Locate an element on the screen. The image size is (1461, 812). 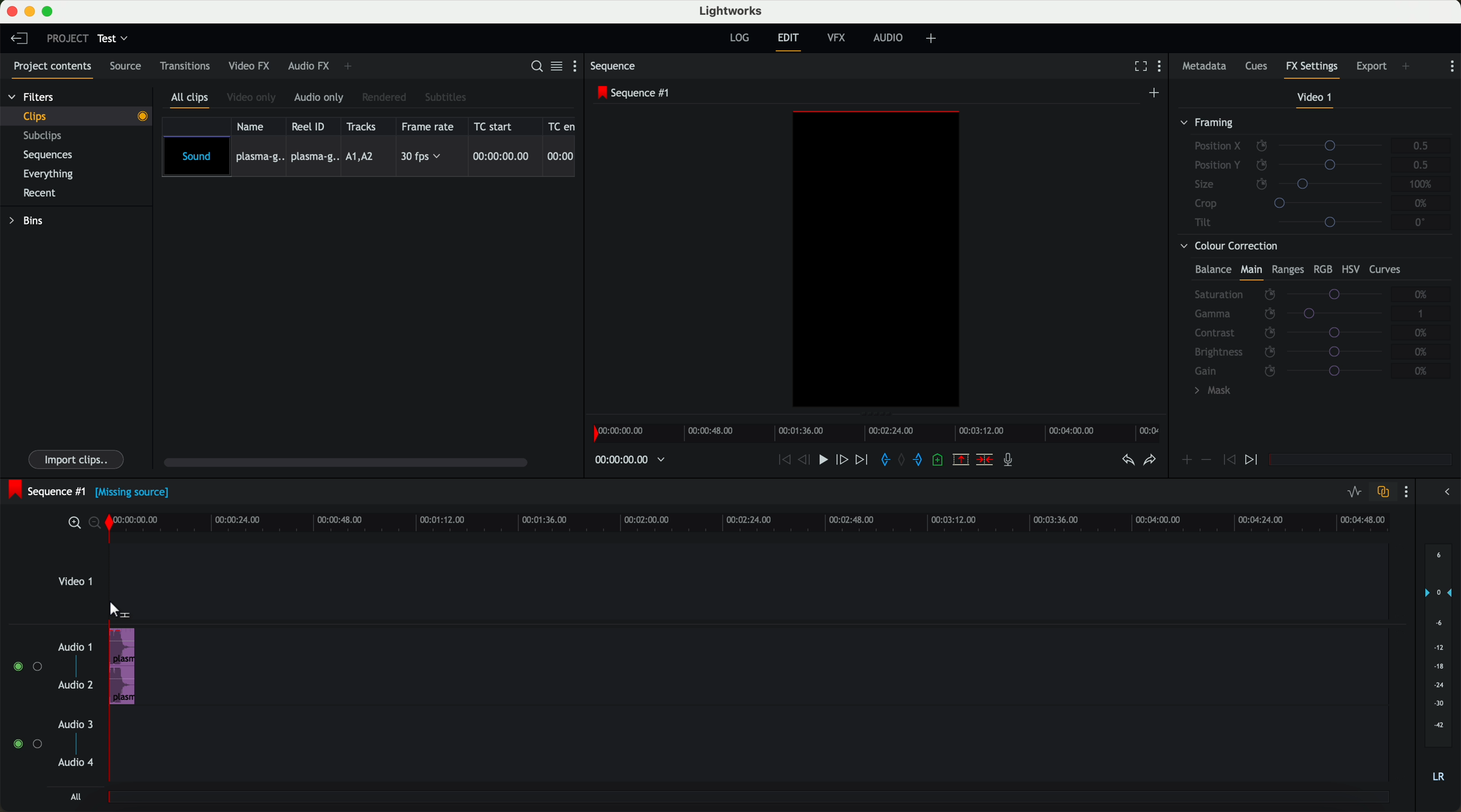
toggle between list and toggle view is located at coordinates (558, 67).